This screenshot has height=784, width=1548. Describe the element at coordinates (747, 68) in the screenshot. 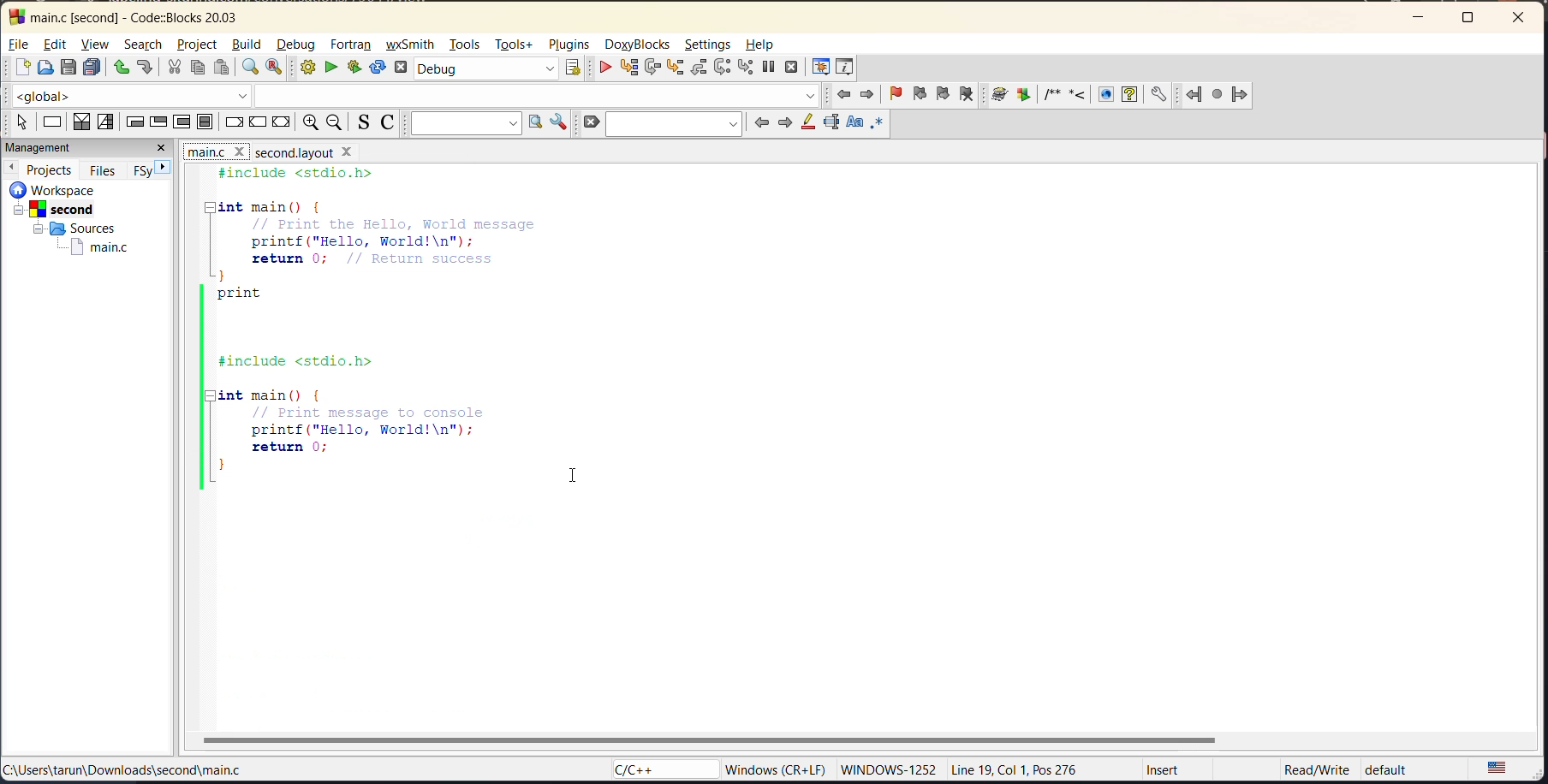

I see `step into instruction` at that location.